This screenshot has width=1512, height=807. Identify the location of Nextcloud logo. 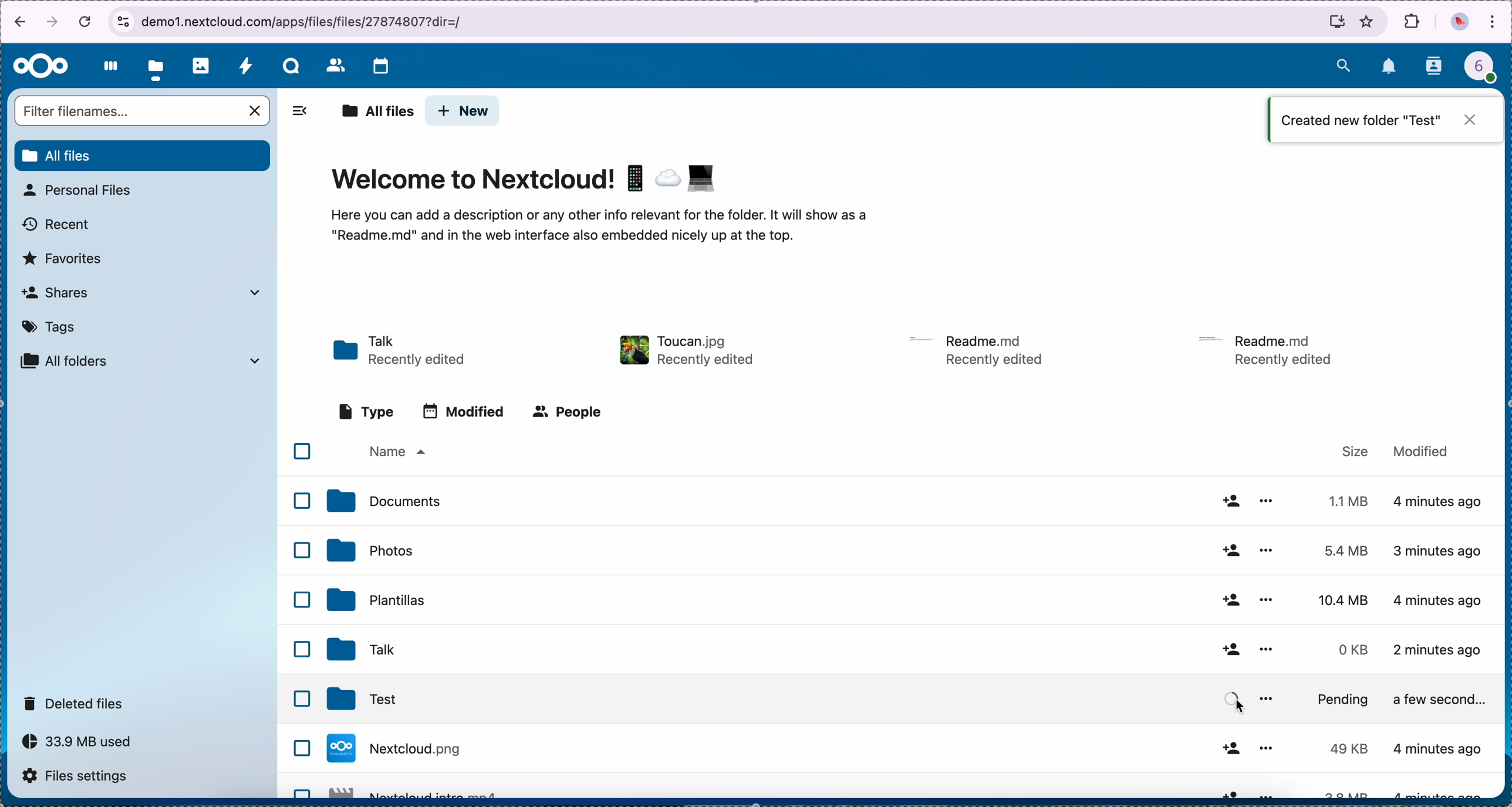
(41, 67).